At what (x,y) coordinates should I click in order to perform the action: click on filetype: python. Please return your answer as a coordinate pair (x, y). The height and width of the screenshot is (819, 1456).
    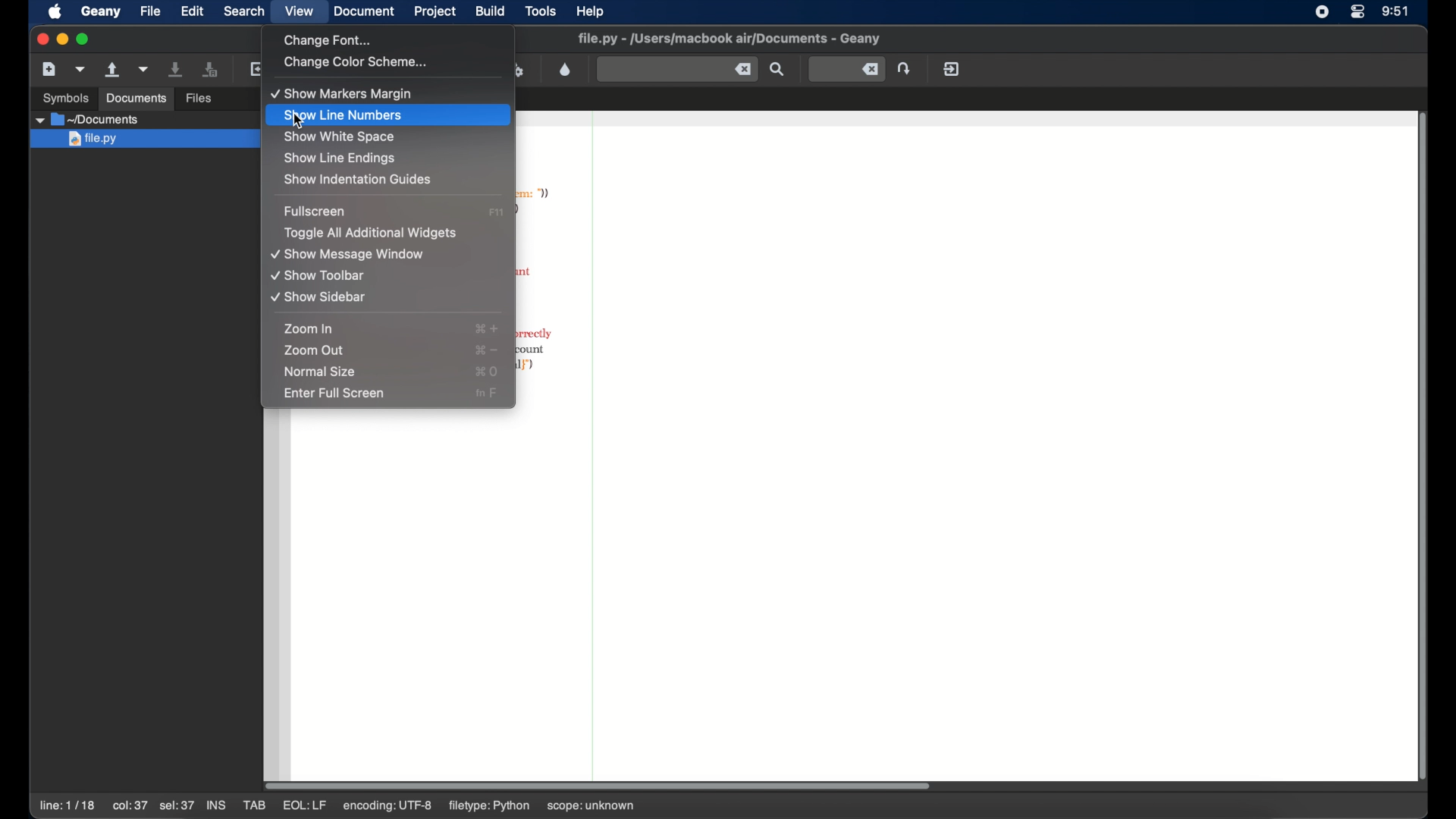
    Looking at the image, I should click on (490, 807).